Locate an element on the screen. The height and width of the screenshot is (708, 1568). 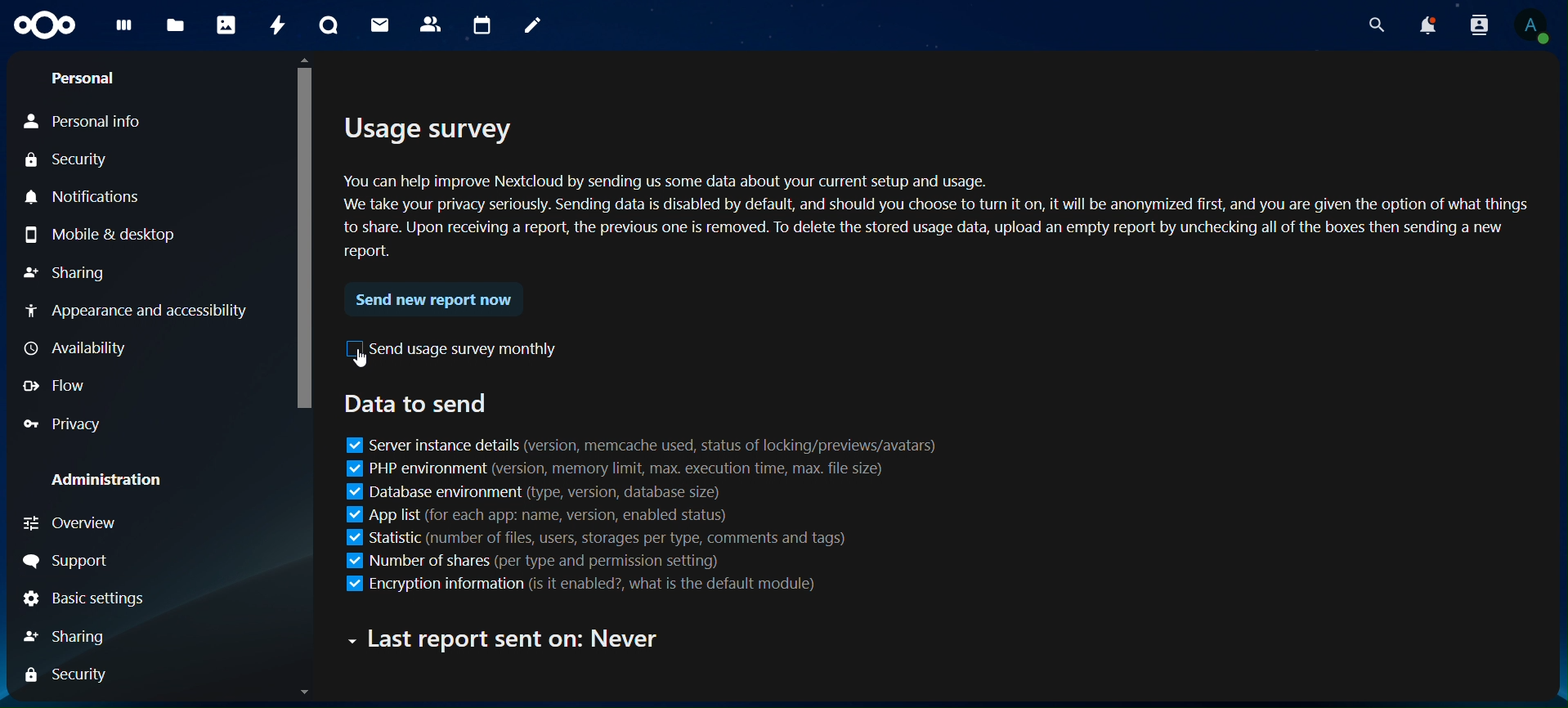
database environment is located at coordinates (529, 492).